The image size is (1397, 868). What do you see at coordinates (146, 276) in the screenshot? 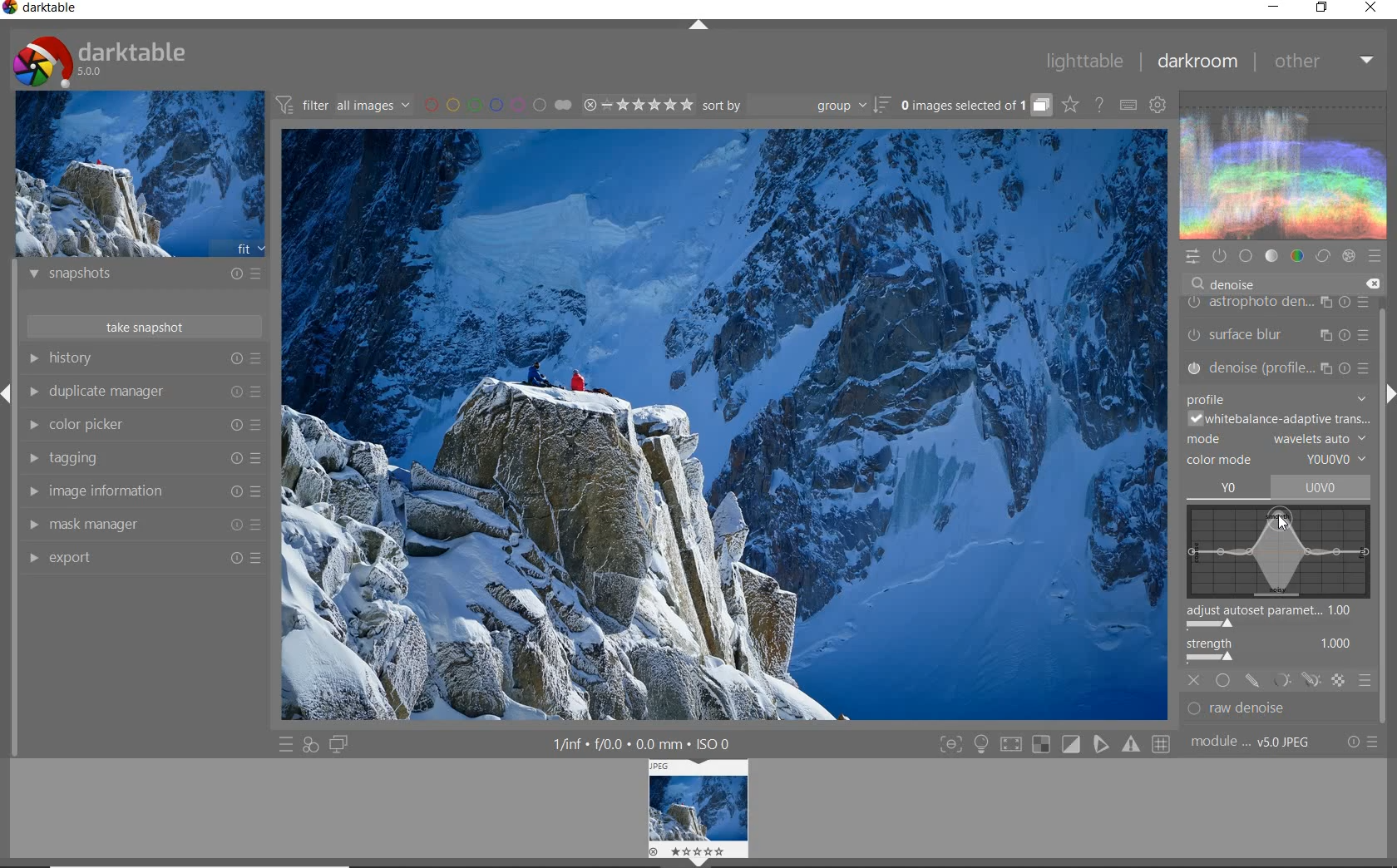
I see `snapshots` at bounding box center [146, 276].